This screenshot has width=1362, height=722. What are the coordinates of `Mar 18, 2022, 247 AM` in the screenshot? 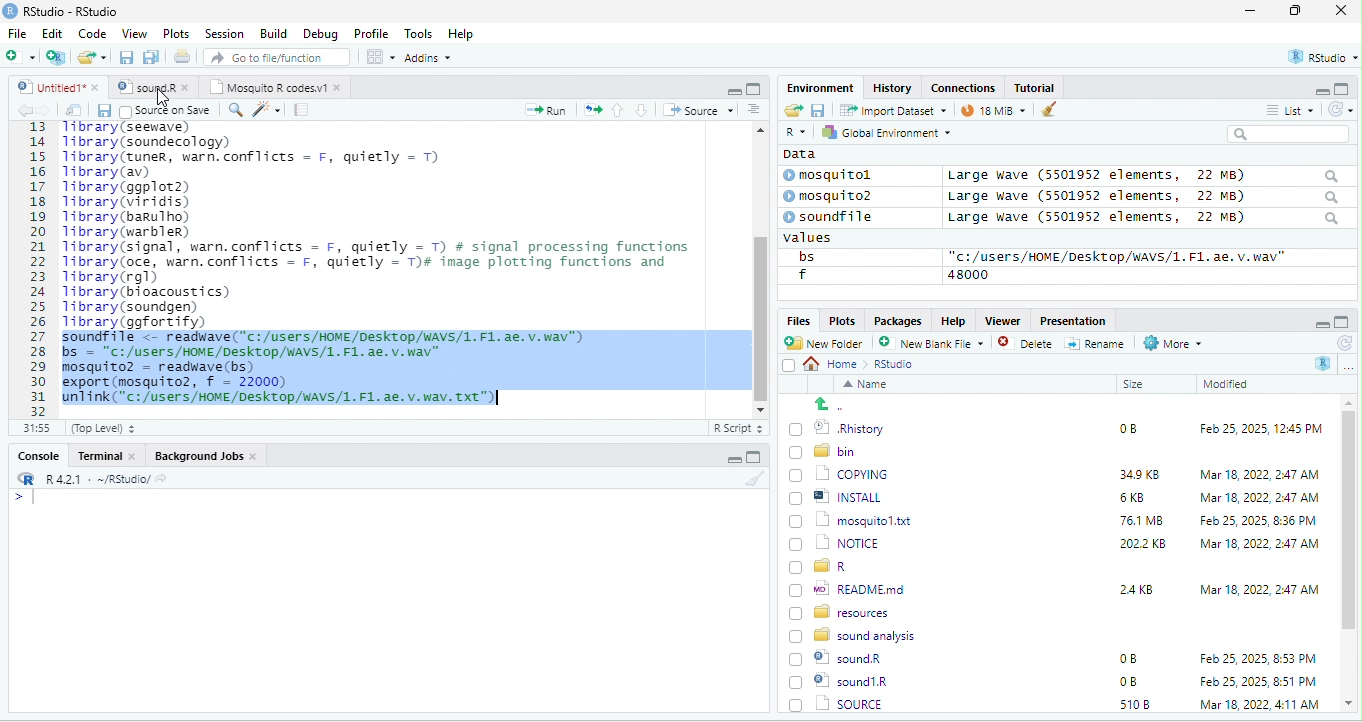 It's located at (1260, 474).